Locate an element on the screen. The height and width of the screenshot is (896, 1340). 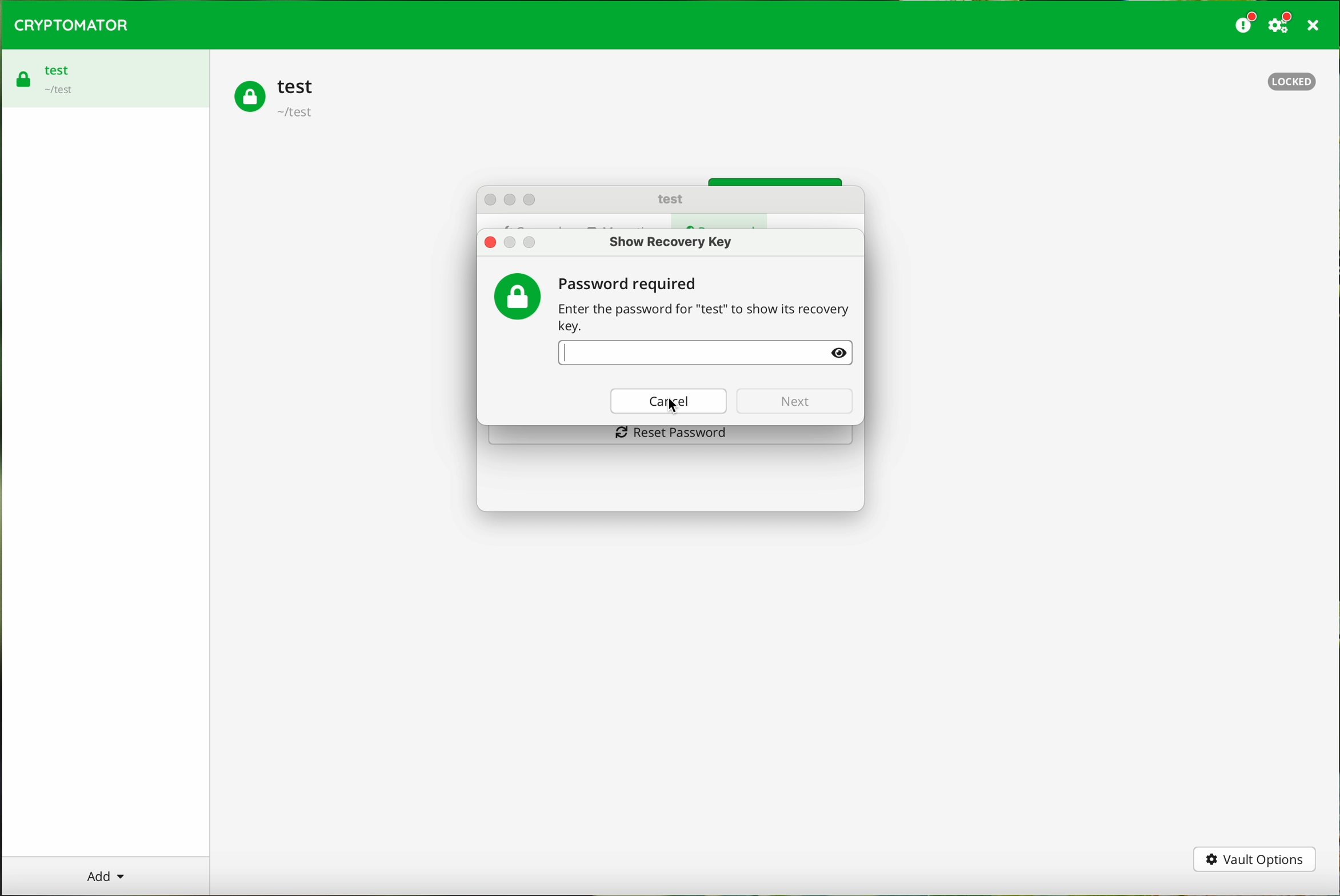
space to write is located at coordinates (704, 354).